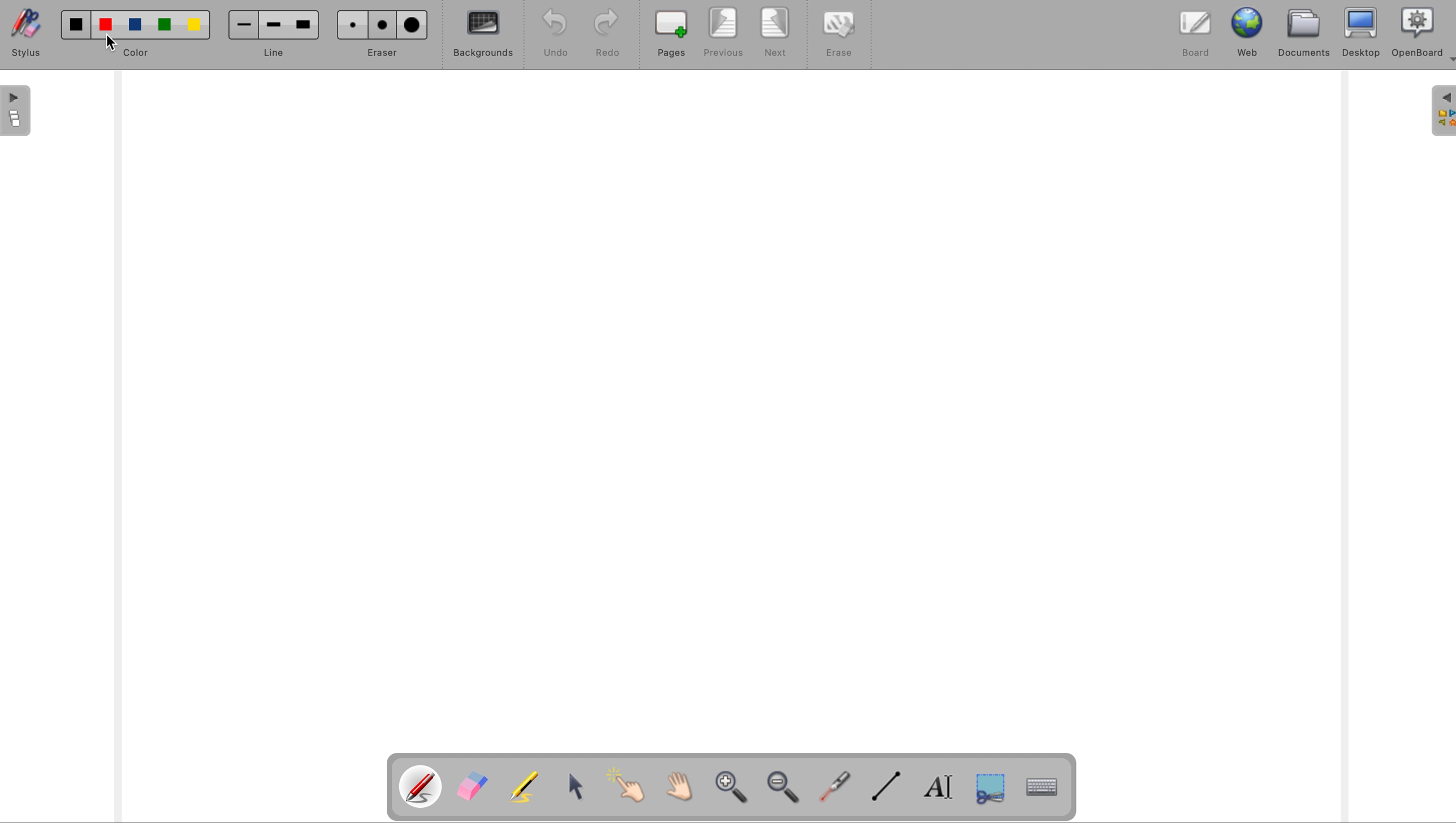 This screenshot has height=823, width=1456. Describe the element at coordinates (1192, 37) in the screenshot. I see `board` at that location.